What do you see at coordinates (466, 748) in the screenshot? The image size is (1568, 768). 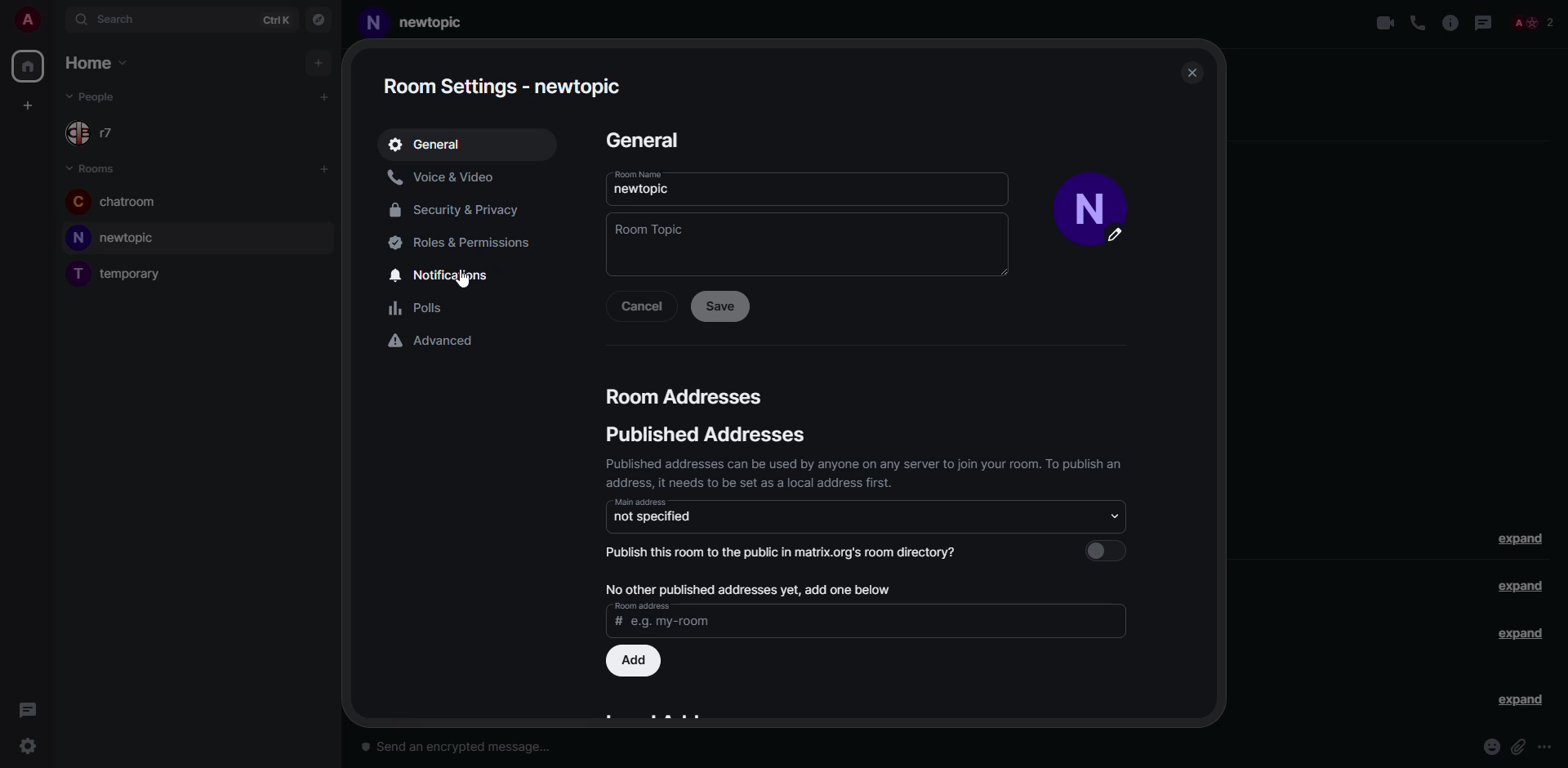 I see `send an encrypted message` at bounding box center [466, 748].